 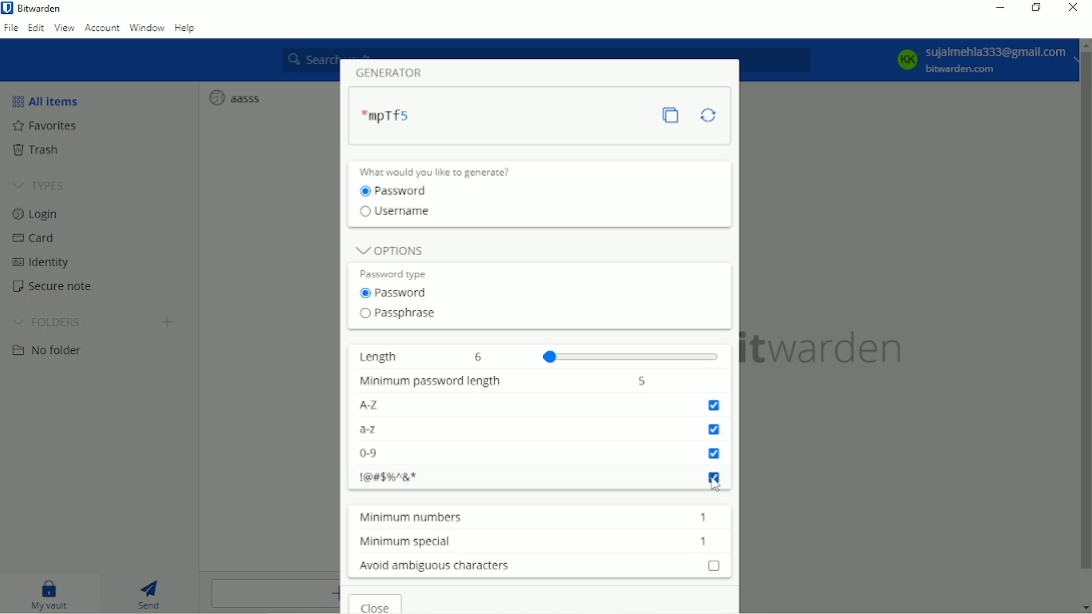 I want to click on Window, so click(x=147, y=28).